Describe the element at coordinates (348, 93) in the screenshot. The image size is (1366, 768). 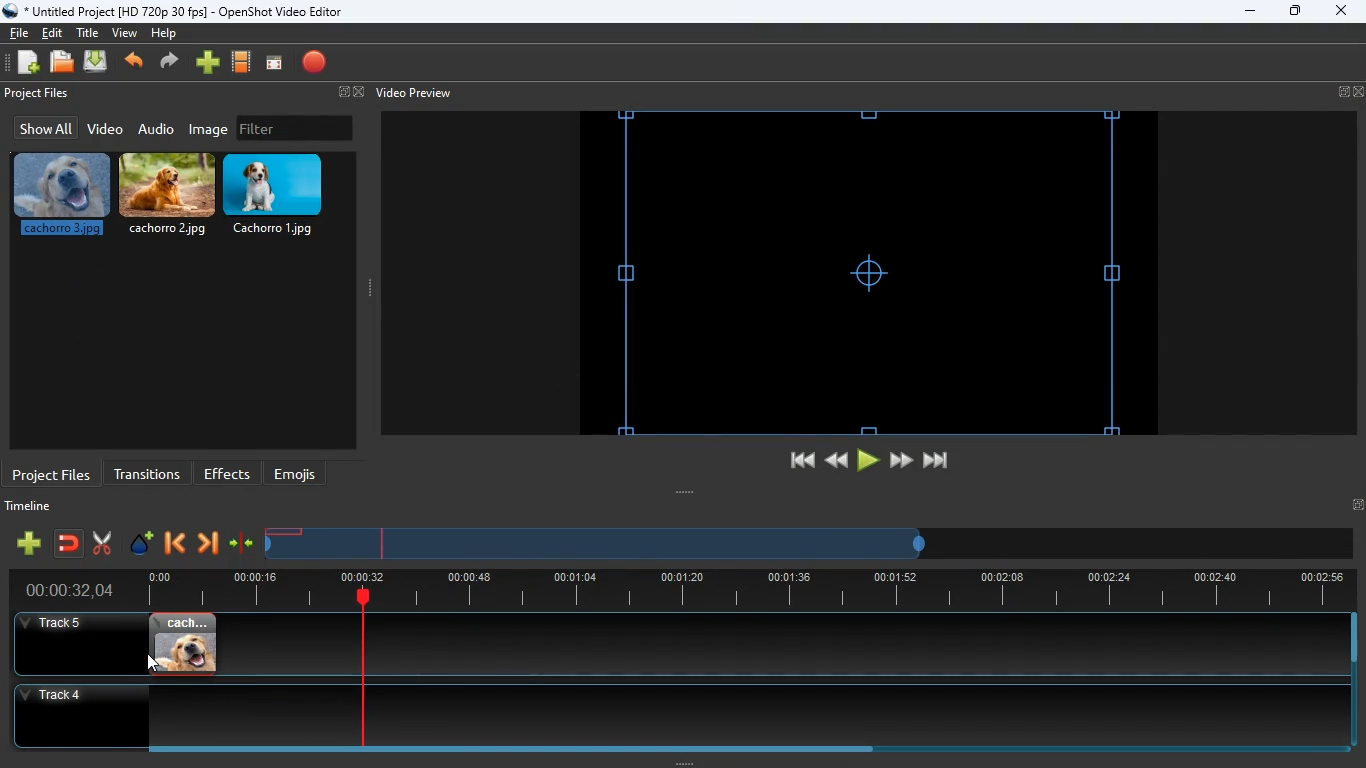
I see `fullscreen` at that location.